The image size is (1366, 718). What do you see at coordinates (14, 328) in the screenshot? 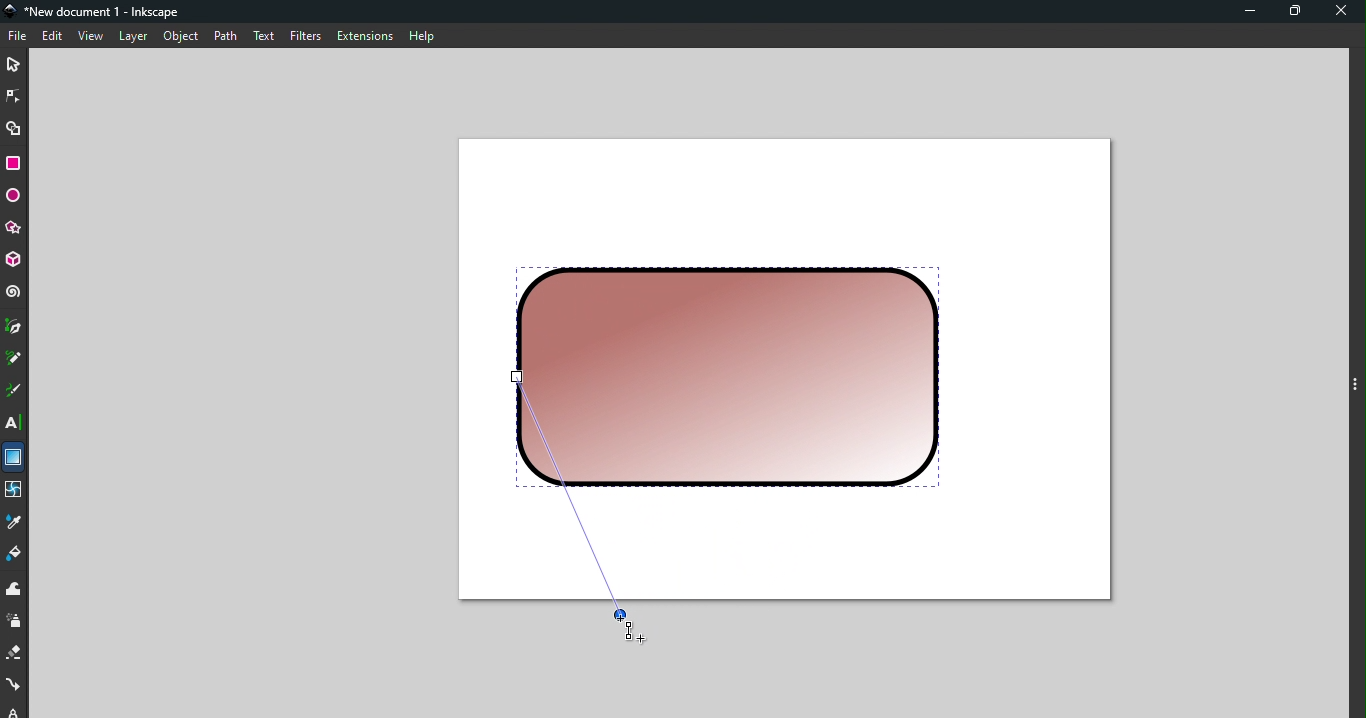
I see `Pen tool` at bounding box center [14, 328].